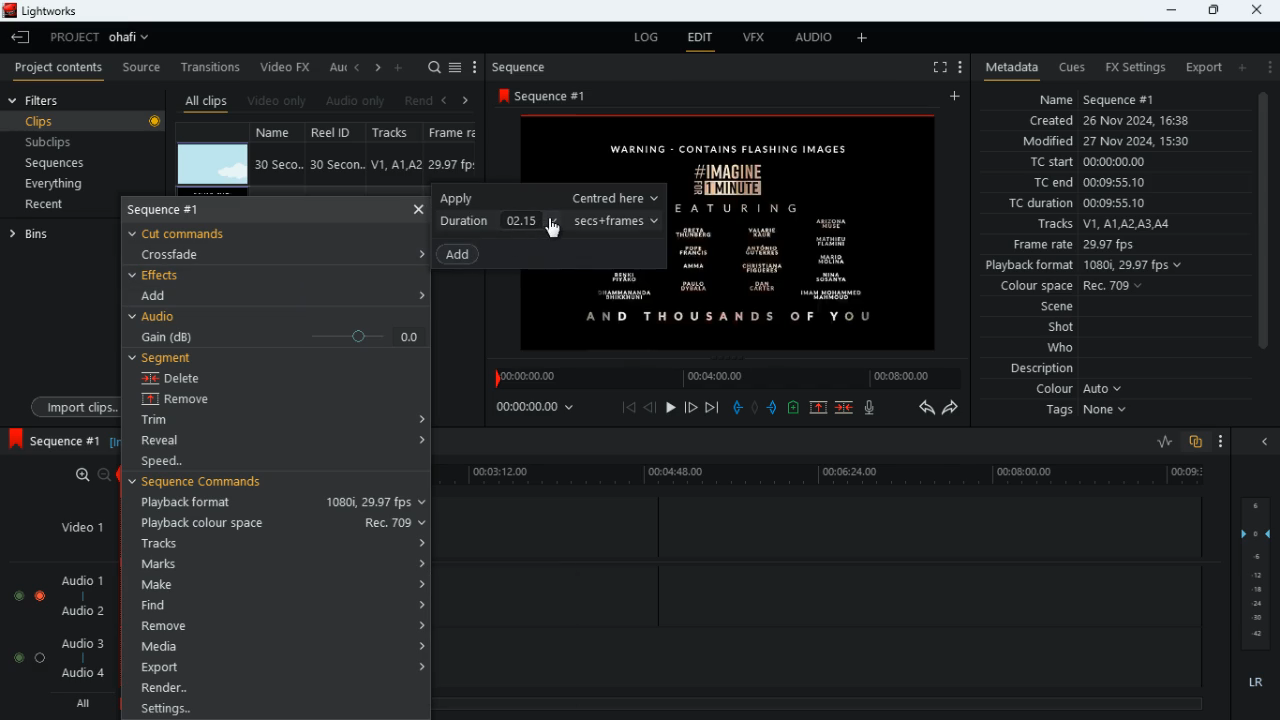 The image size is (1280, 720). I want to click on new, so click(796, 410).